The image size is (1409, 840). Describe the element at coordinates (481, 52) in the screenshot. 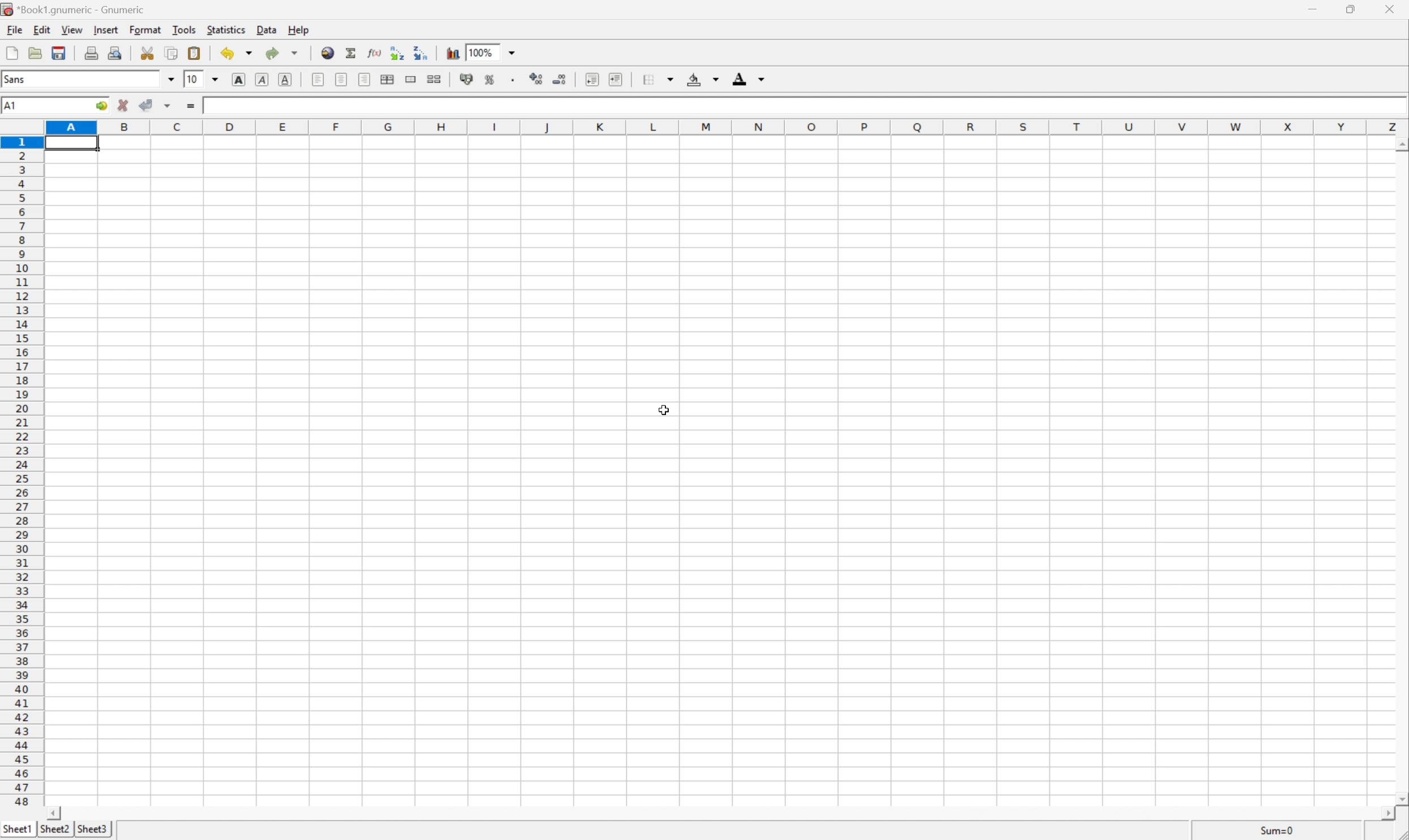

I see `100%` at that location.